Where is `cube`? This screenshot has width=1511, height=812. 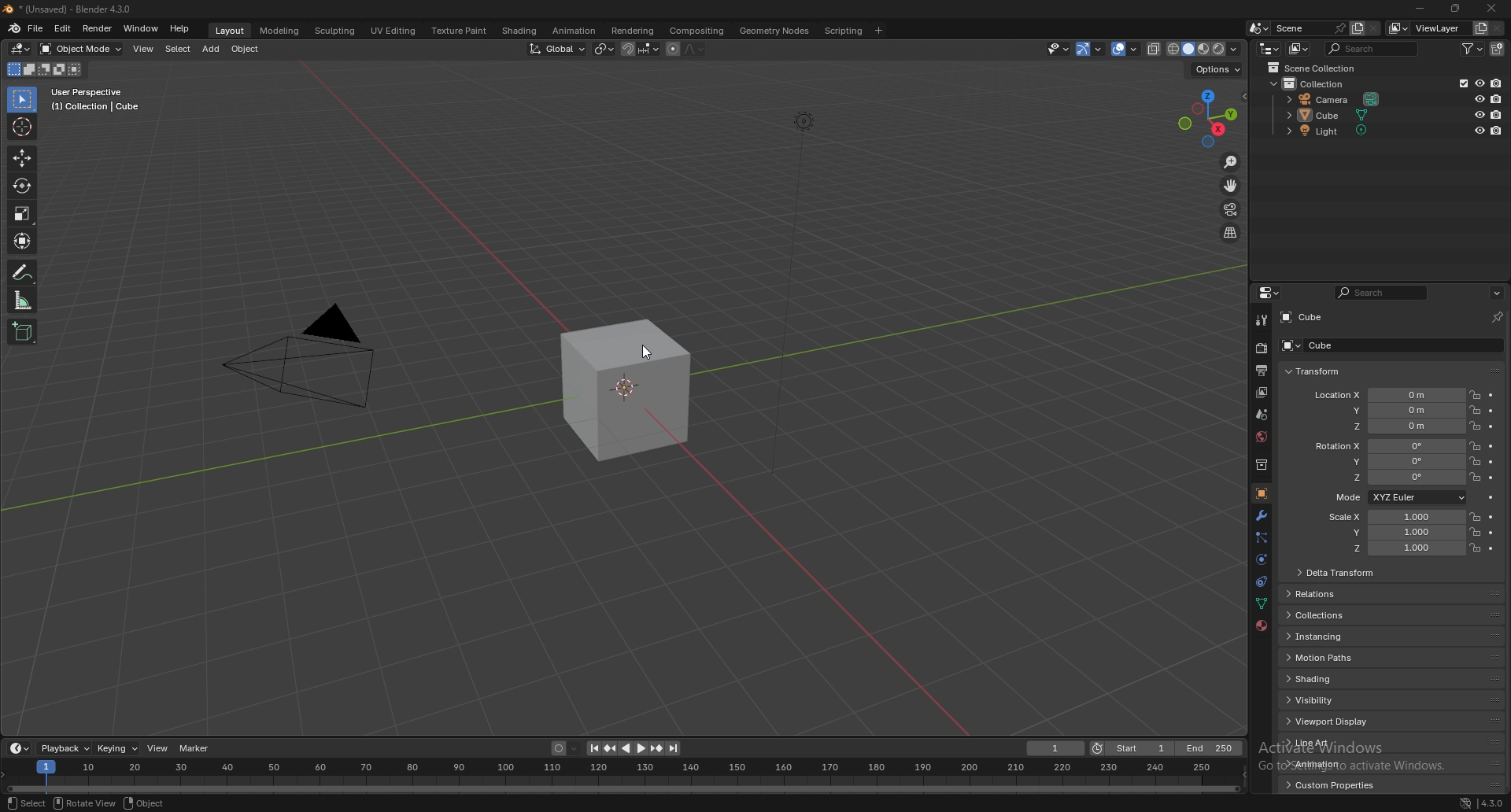 cube is located at coordinates (1334, 115).